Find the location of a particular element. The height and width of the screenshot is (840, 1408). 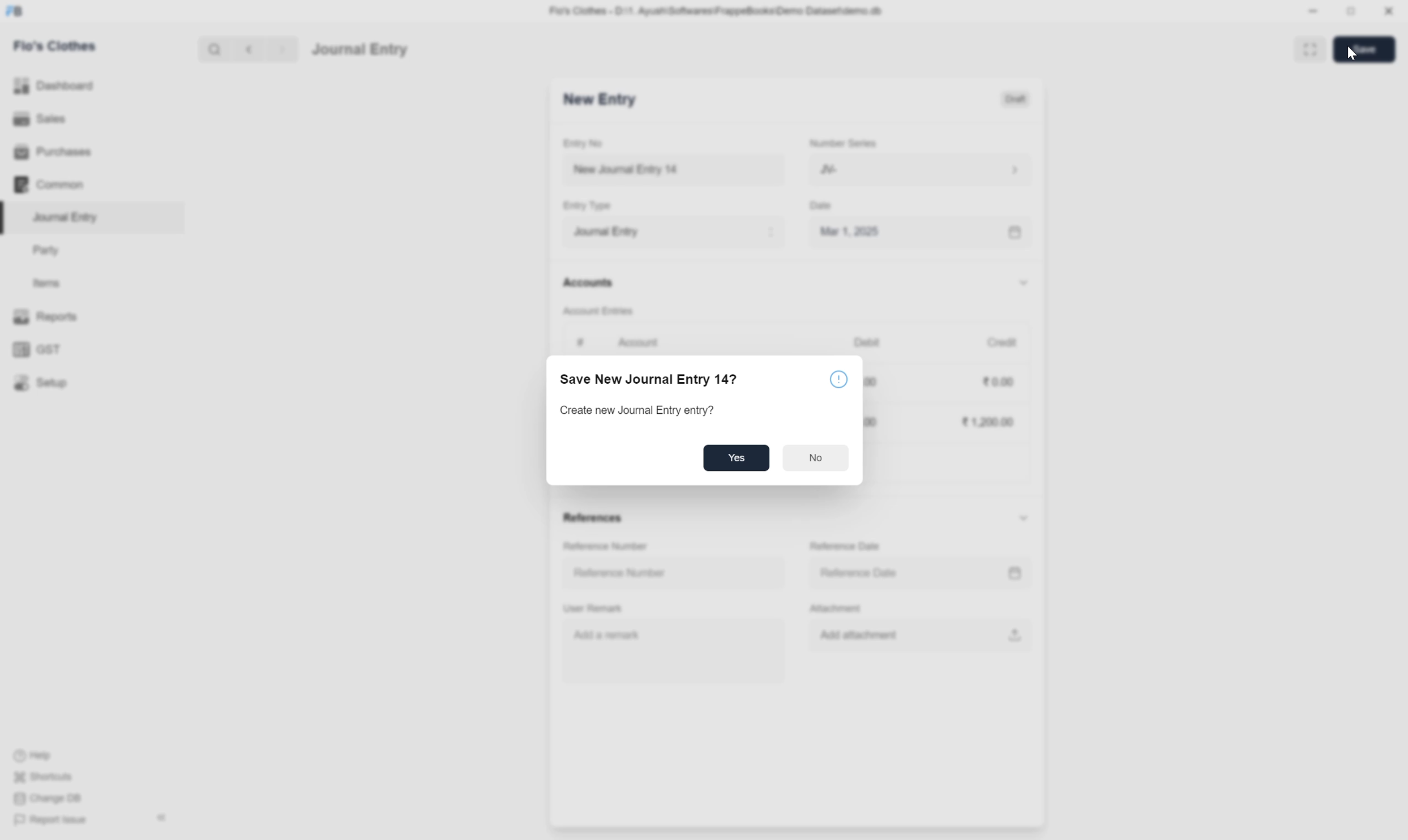

Shortcuts is located at coordinates (48, 777).